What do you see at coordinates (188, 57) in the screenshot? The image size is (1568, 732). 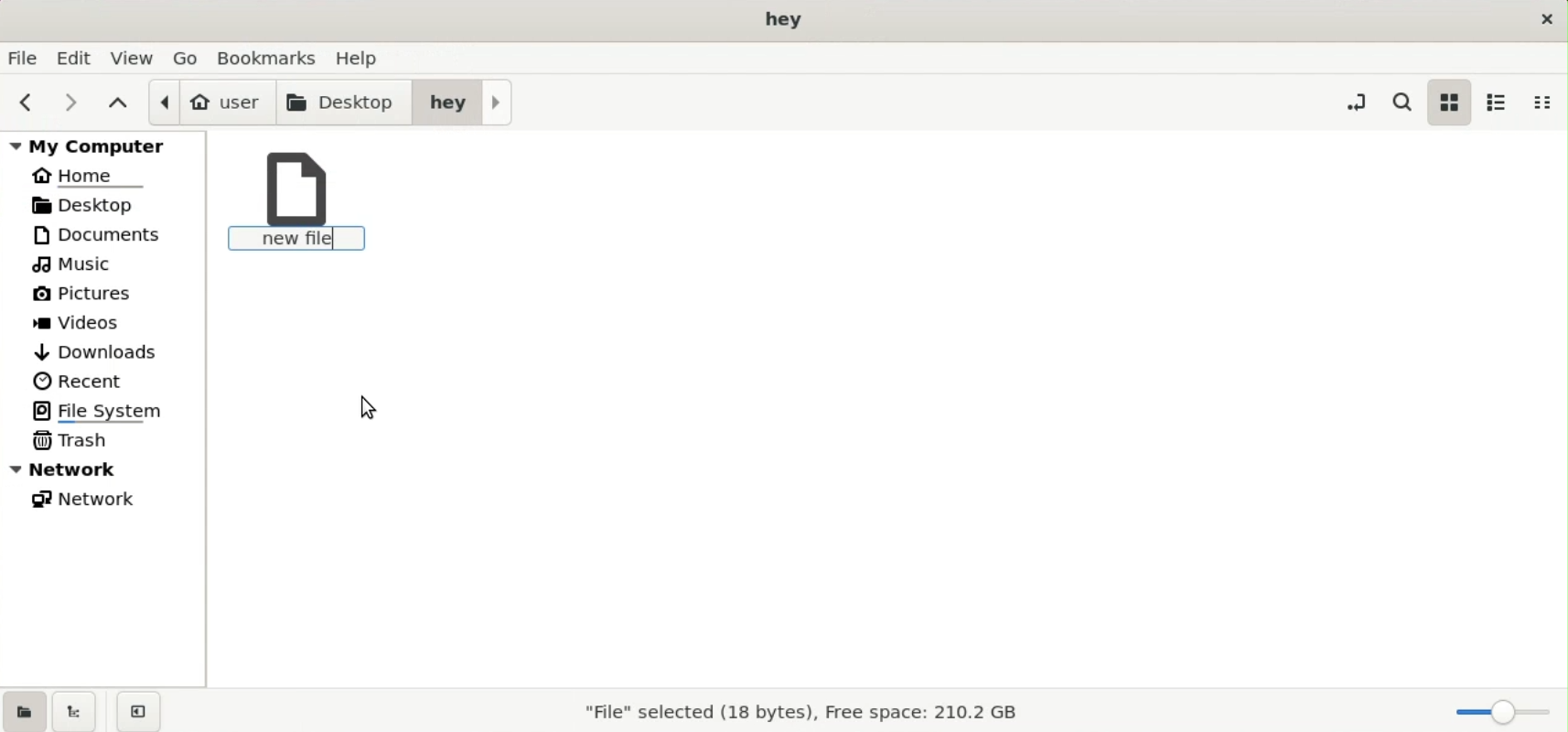 I see `go` at bounding box center [188, 57].